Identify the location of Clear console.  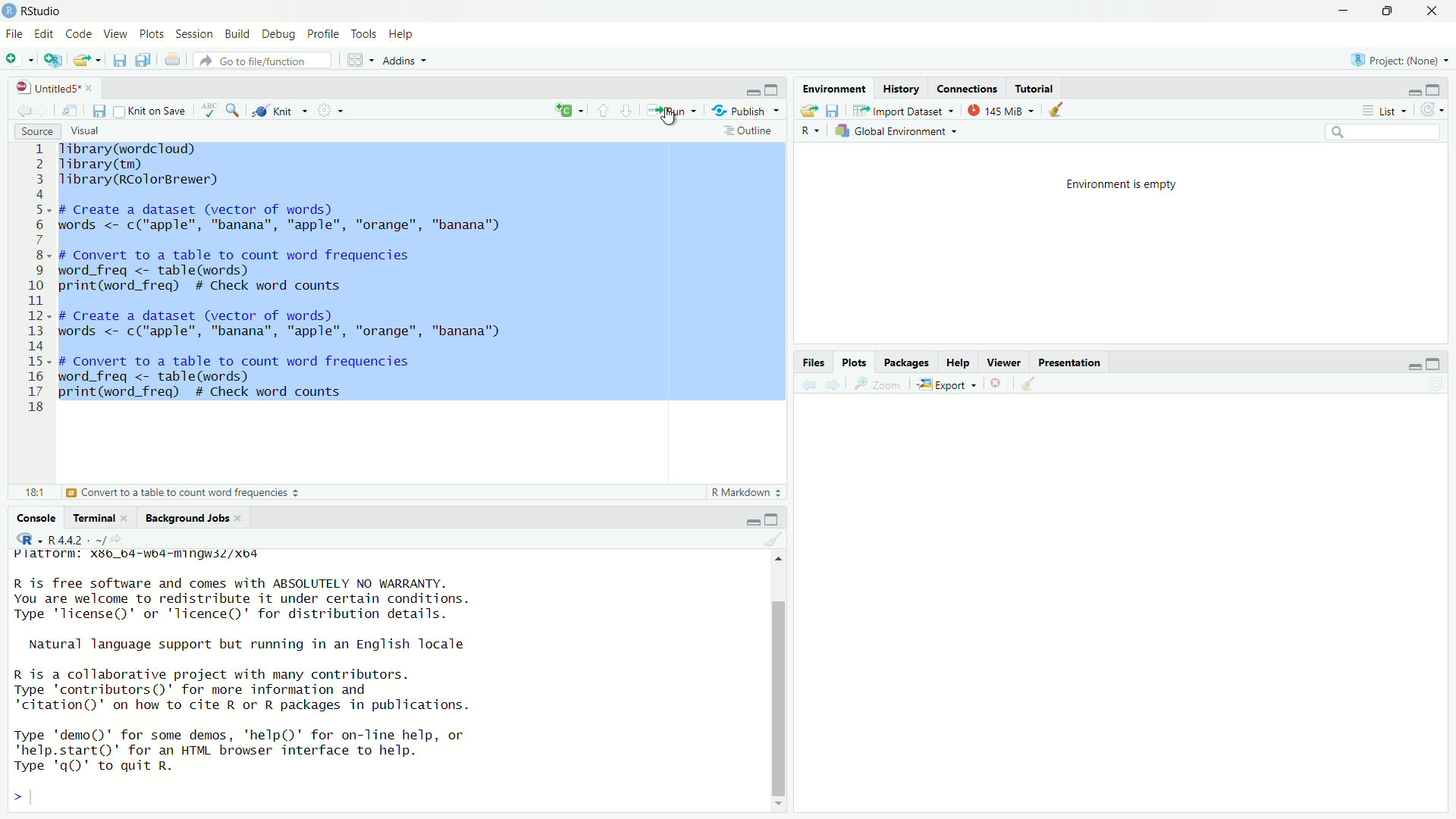
(1059, 111).